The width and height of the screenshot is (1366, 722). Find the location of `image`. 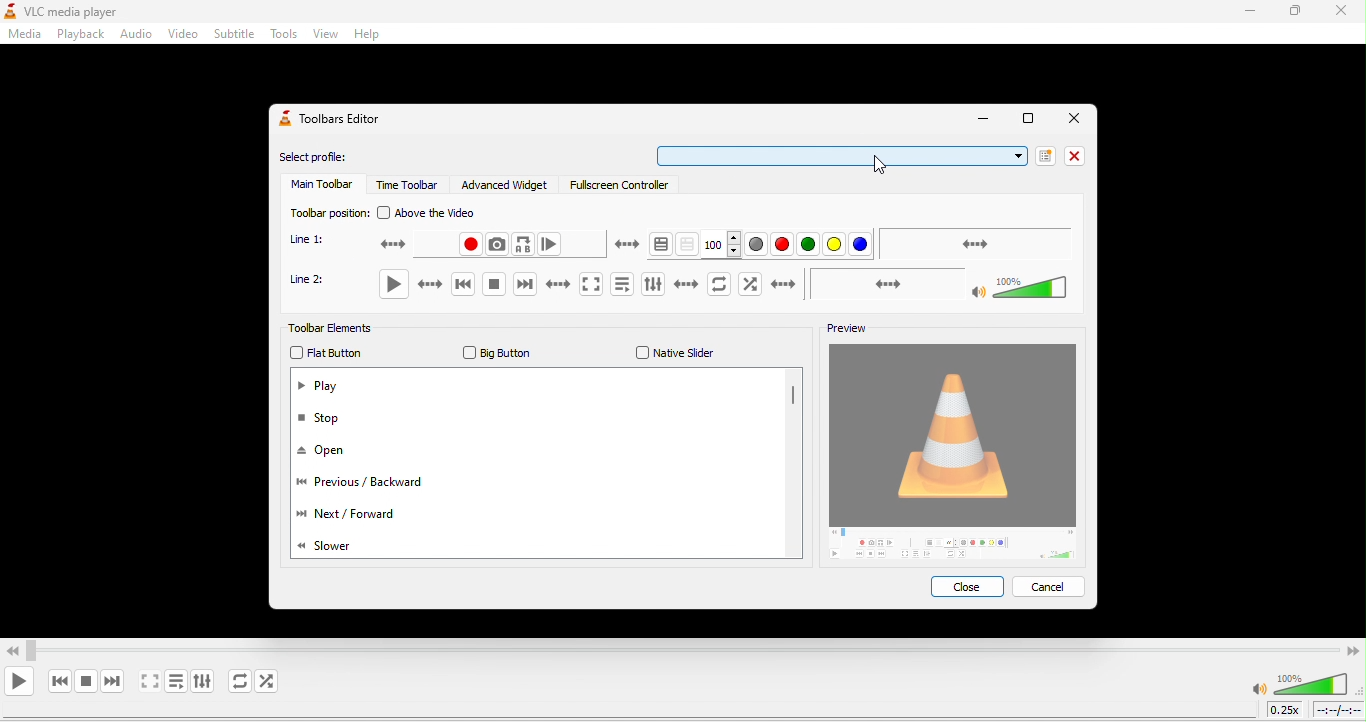

image is located at coordinates (954, 452).